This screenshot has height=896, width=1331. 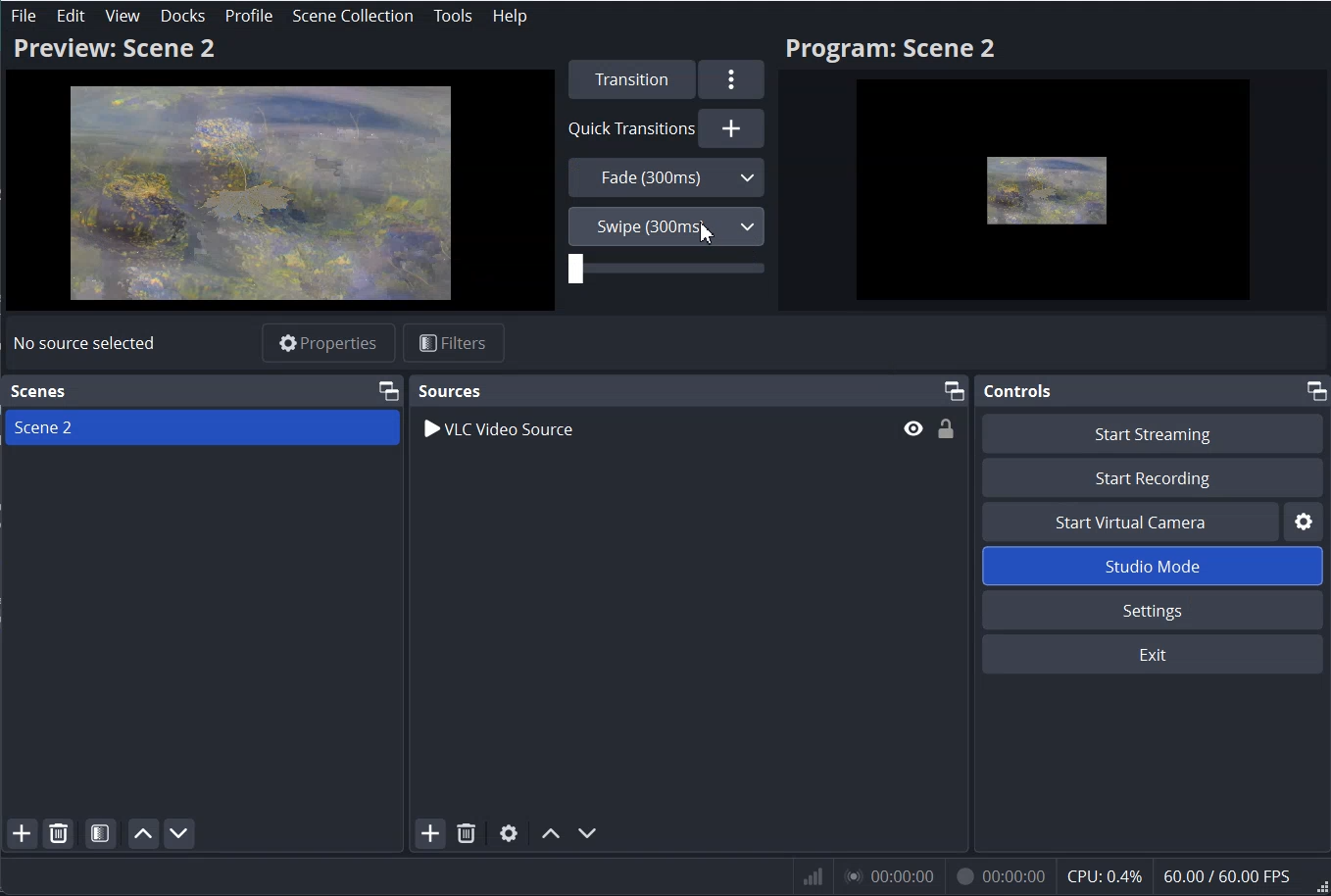 I want to click on Maximize, so click(x=388, y=389).